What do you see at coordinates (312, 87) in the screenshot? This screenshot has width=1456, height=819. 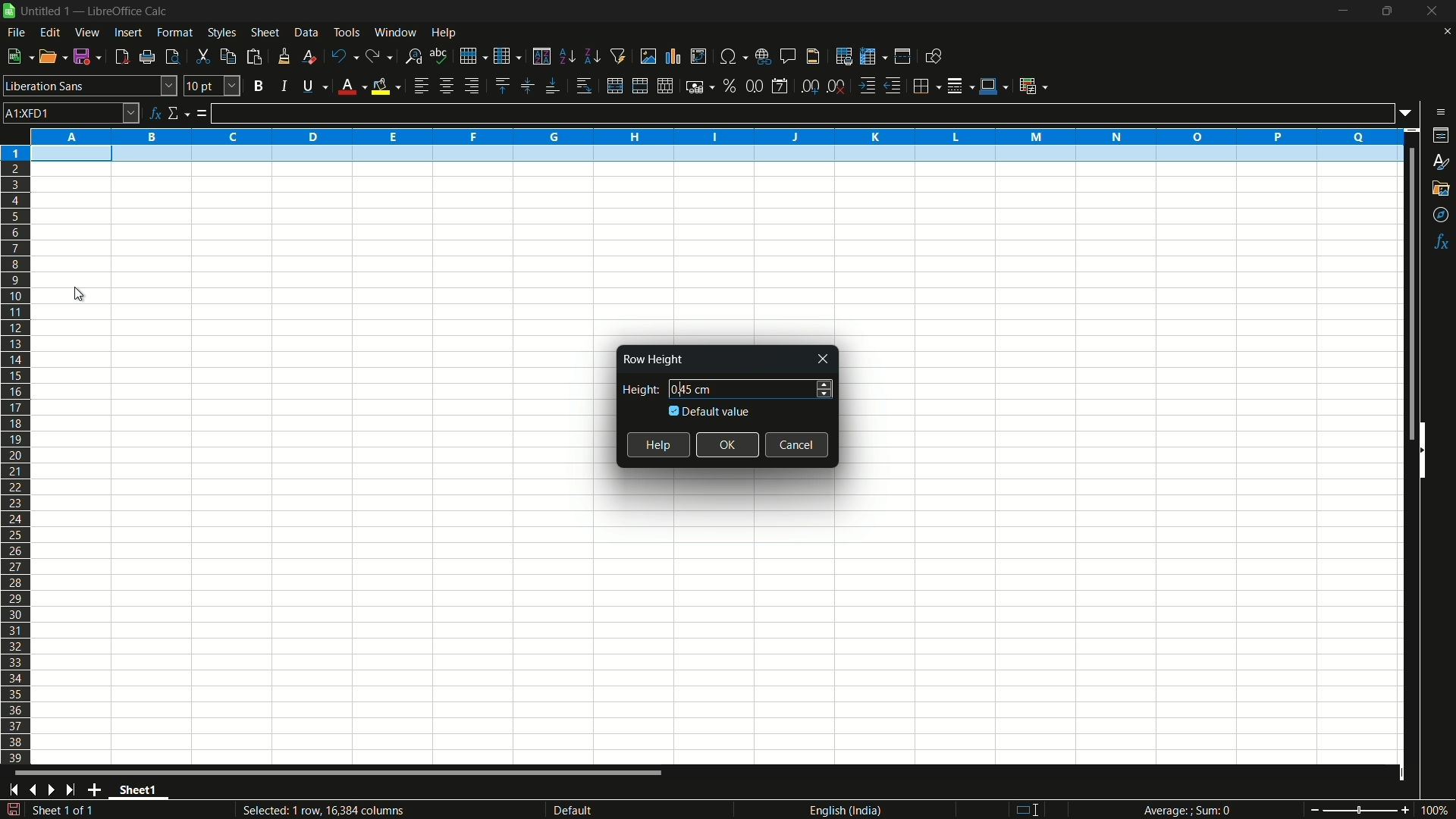 I see `underline` at bounding box center [312, 87].